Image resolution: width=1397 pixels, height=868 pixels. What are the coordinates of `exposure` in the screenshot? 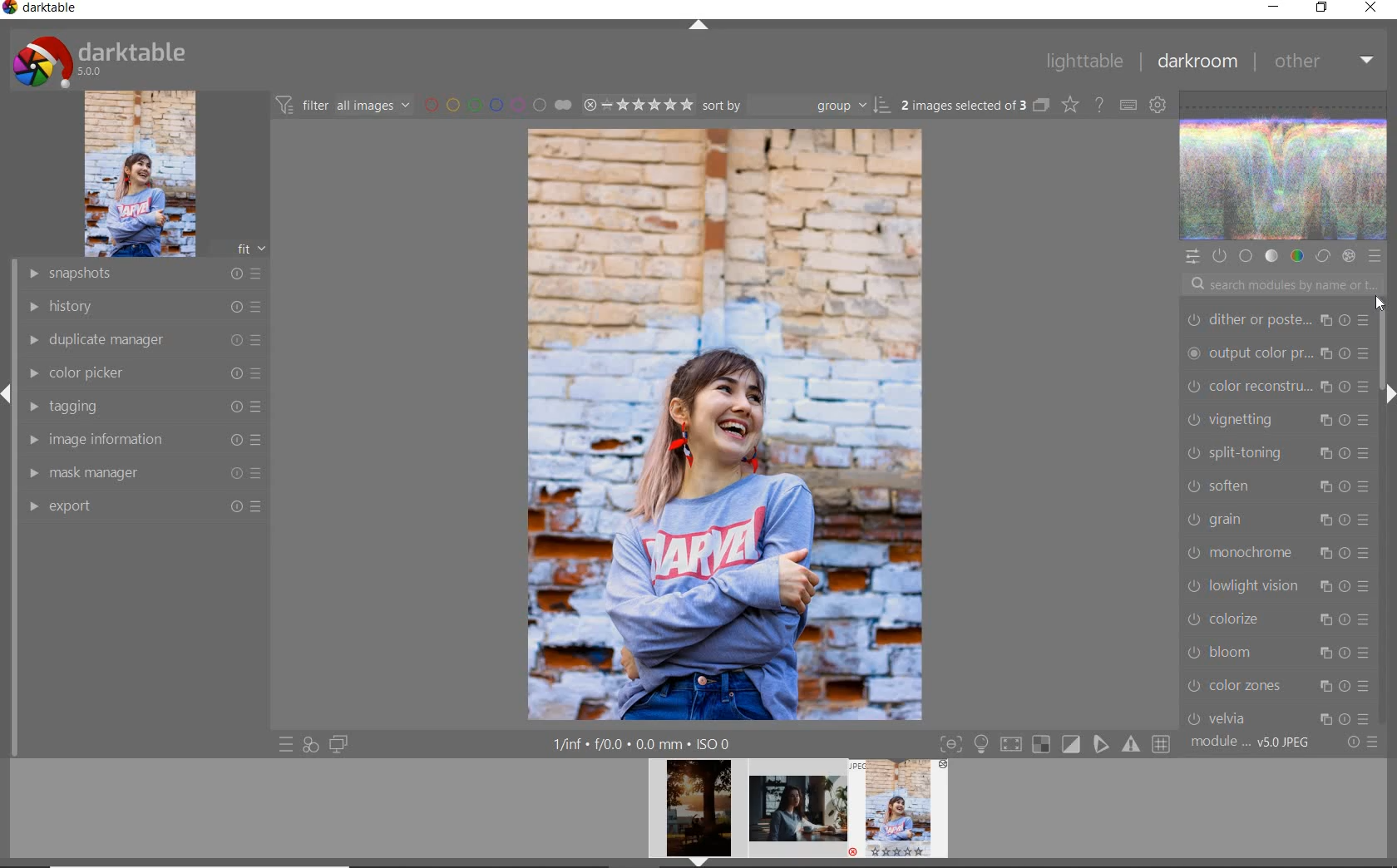 It's located at (1278, 417).